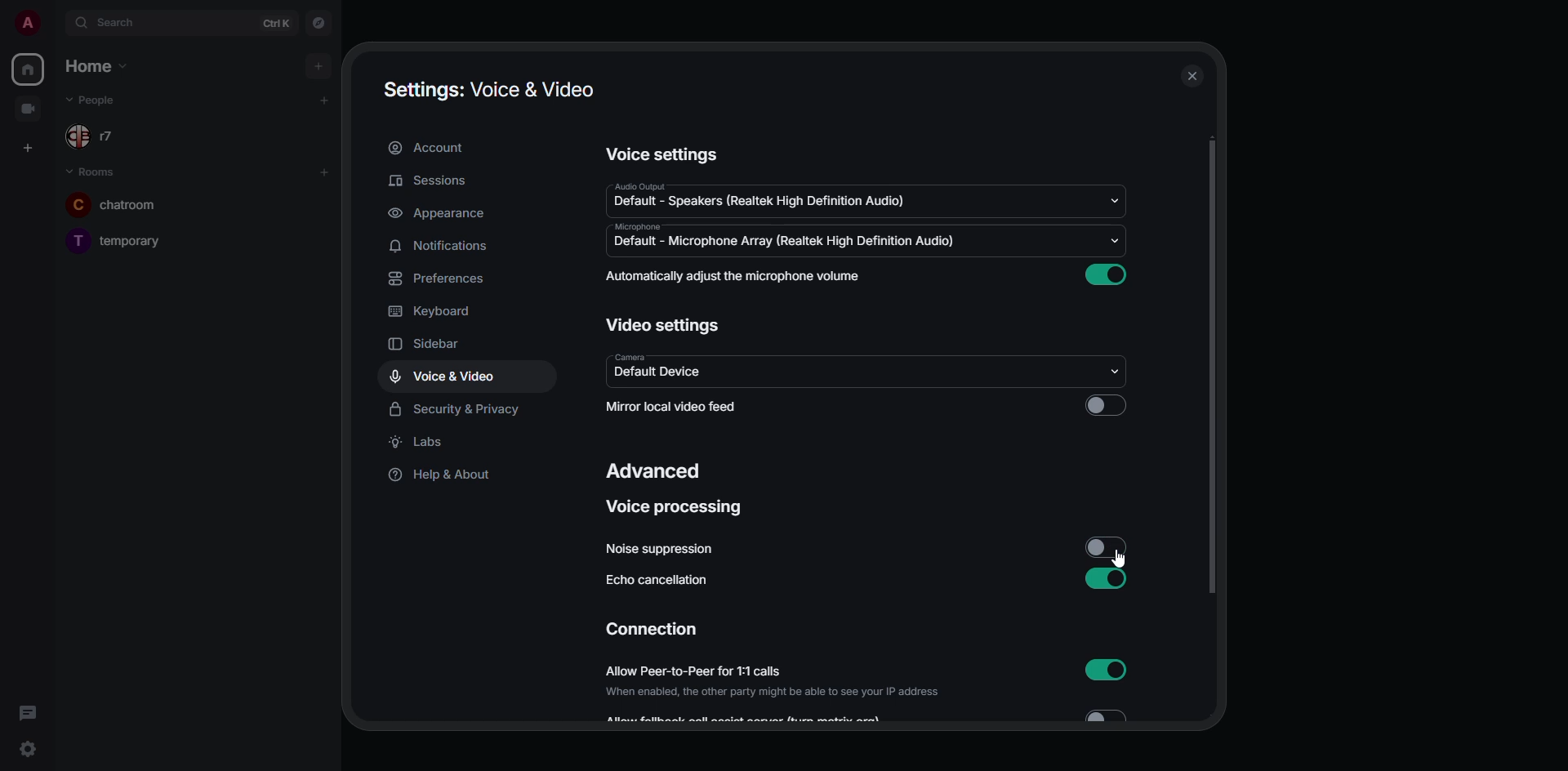  I want to click on navigator, so click(320, 21).